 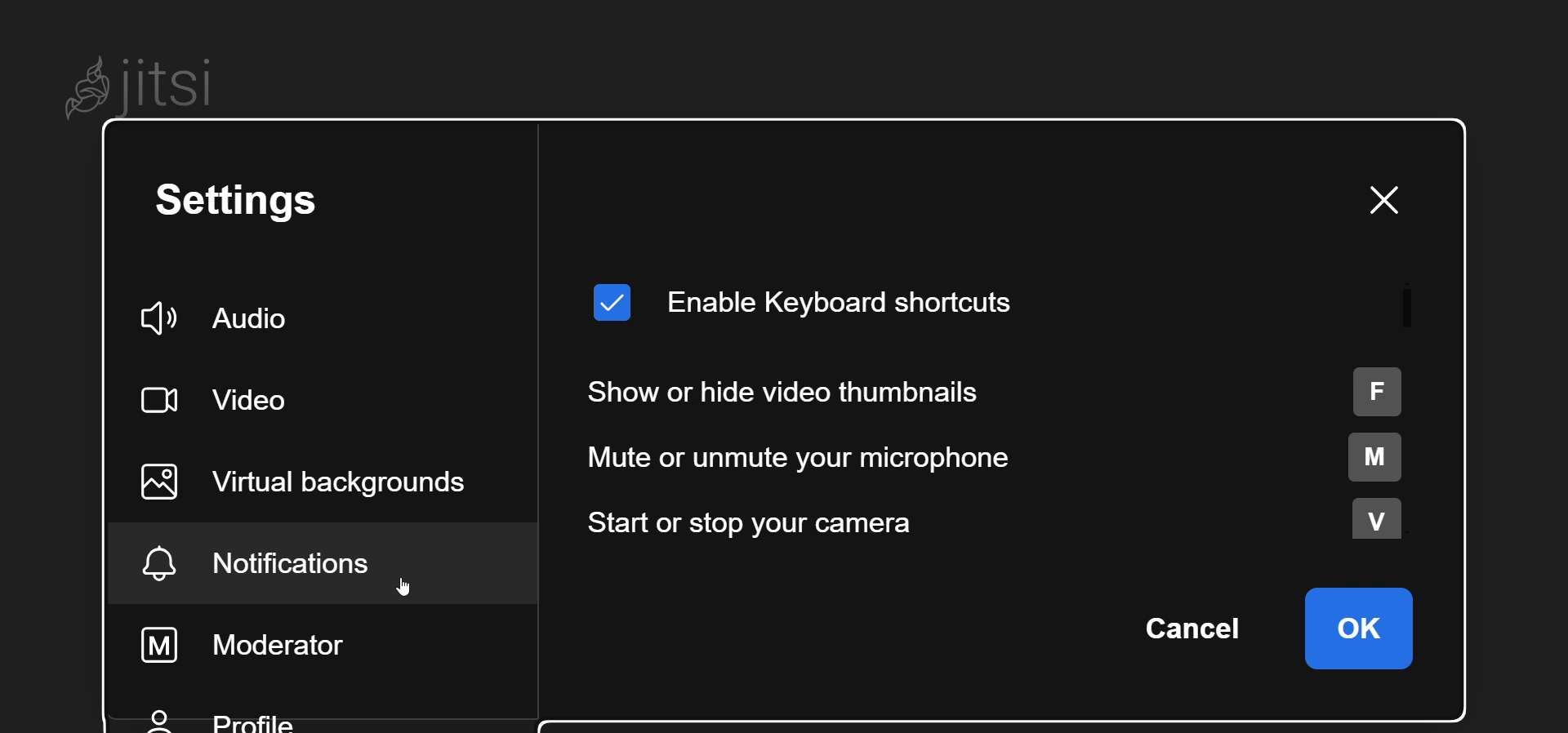 What do you see at coordinates (999, 395) in the screenshot?
I see `show or hide thumbnails` at bounding box center [999, 395].